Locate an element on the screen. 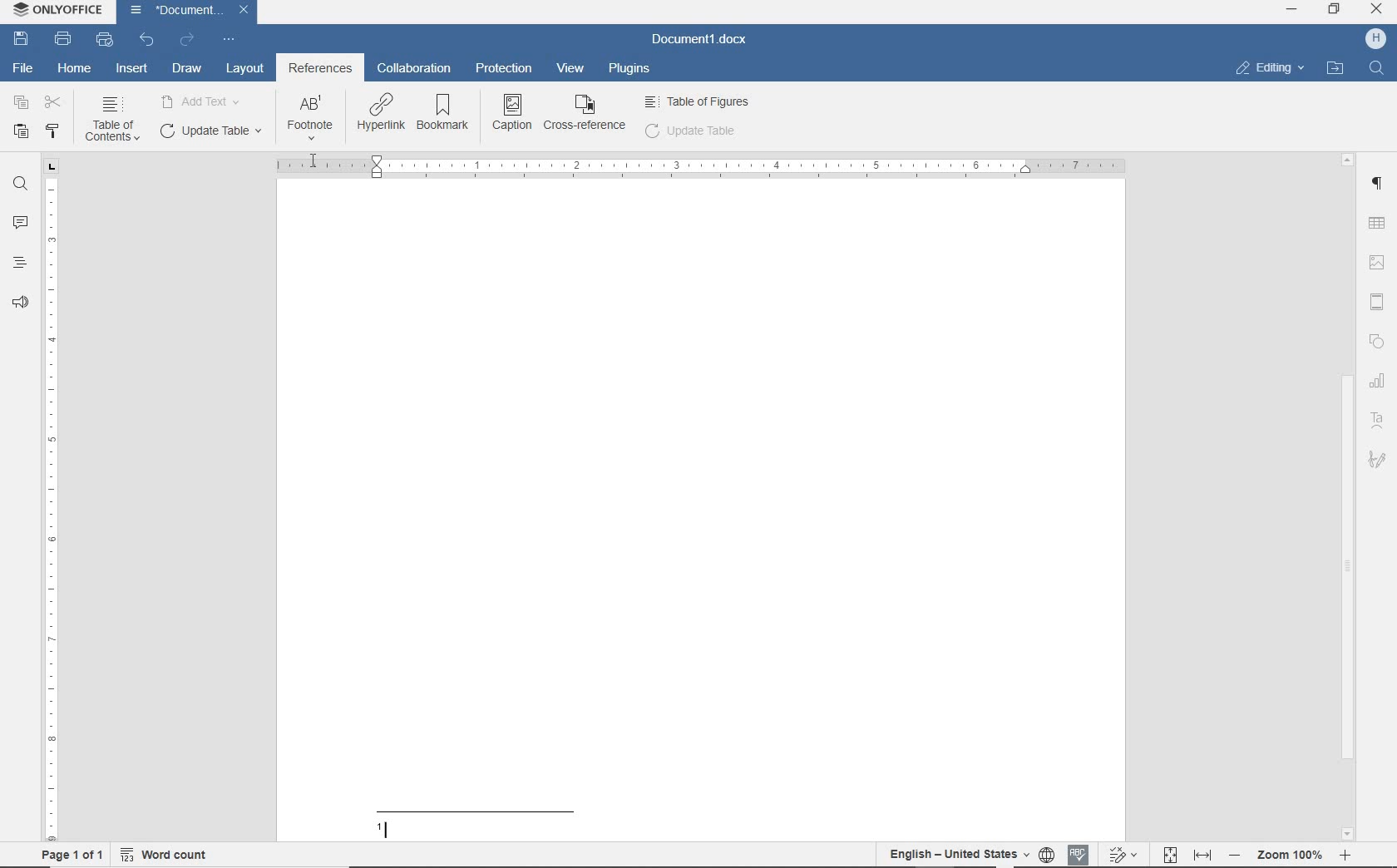  plugins is located at coordinates (633, 70).